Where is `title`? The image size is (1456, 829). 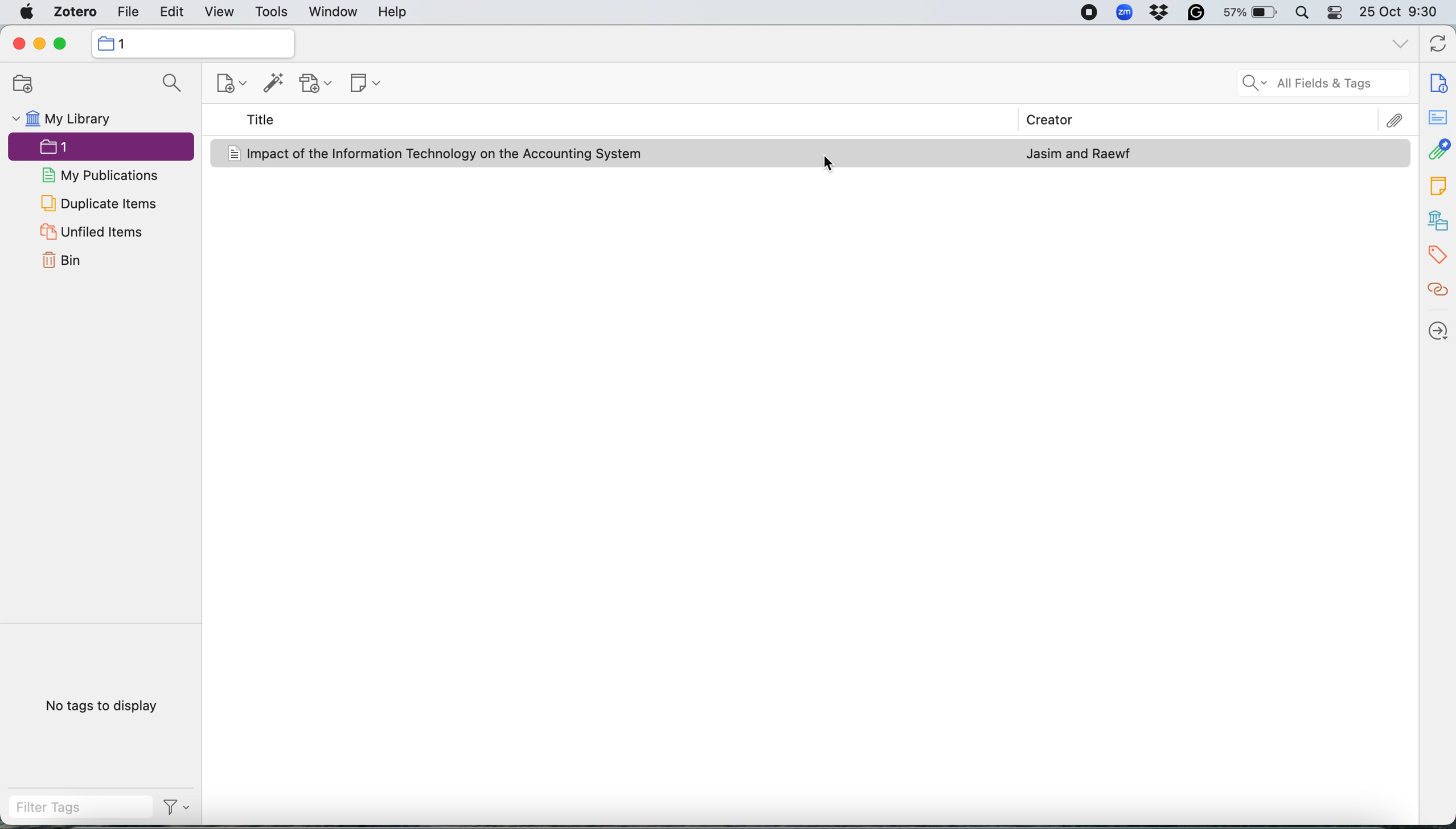
title is located at coordinates (263, 120).